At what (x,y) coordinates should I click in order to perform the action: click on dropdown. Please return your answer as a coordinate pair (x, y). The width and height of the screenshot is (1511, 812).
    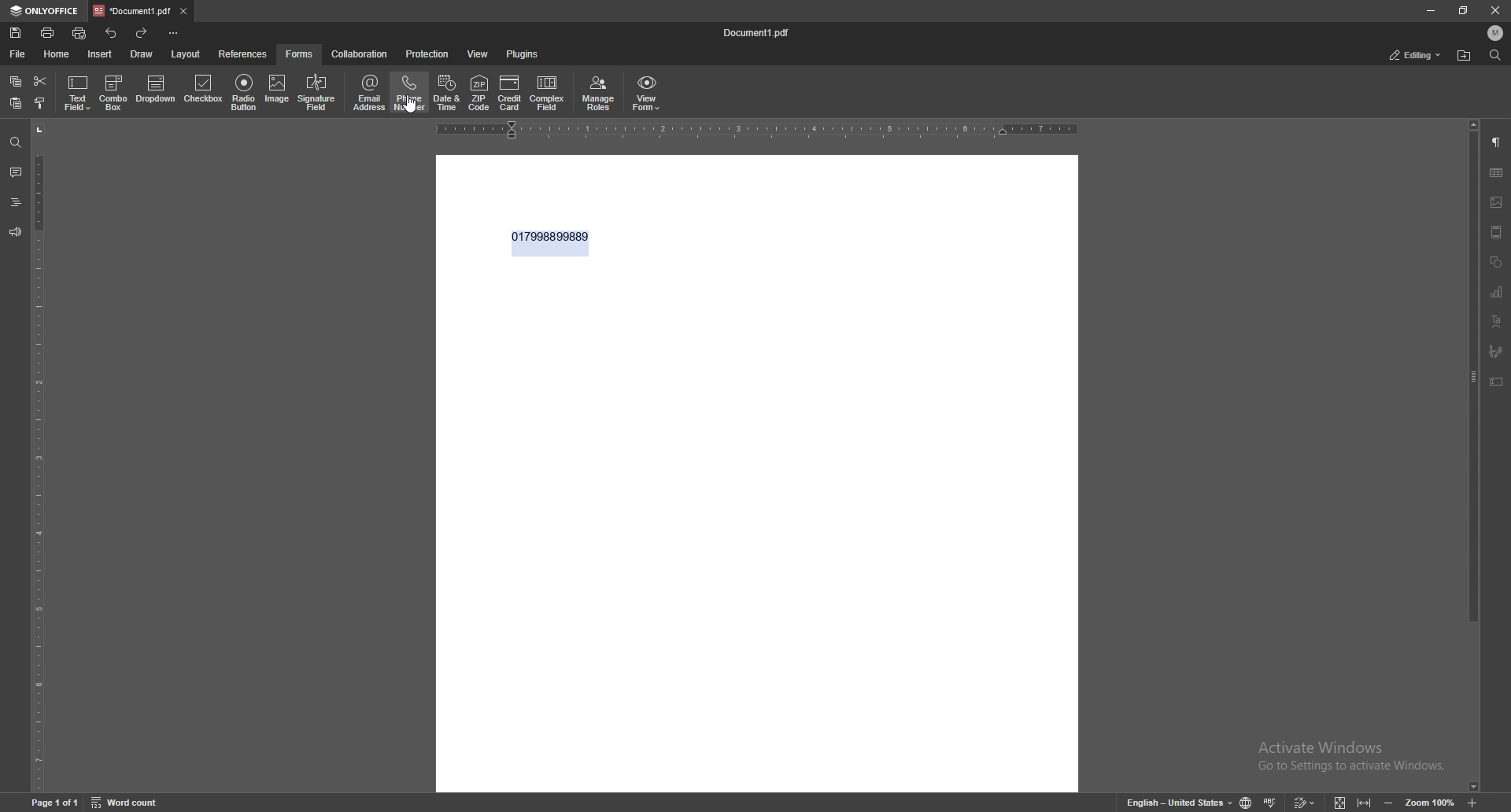
    Looking at the image, I should click on (157, 90).